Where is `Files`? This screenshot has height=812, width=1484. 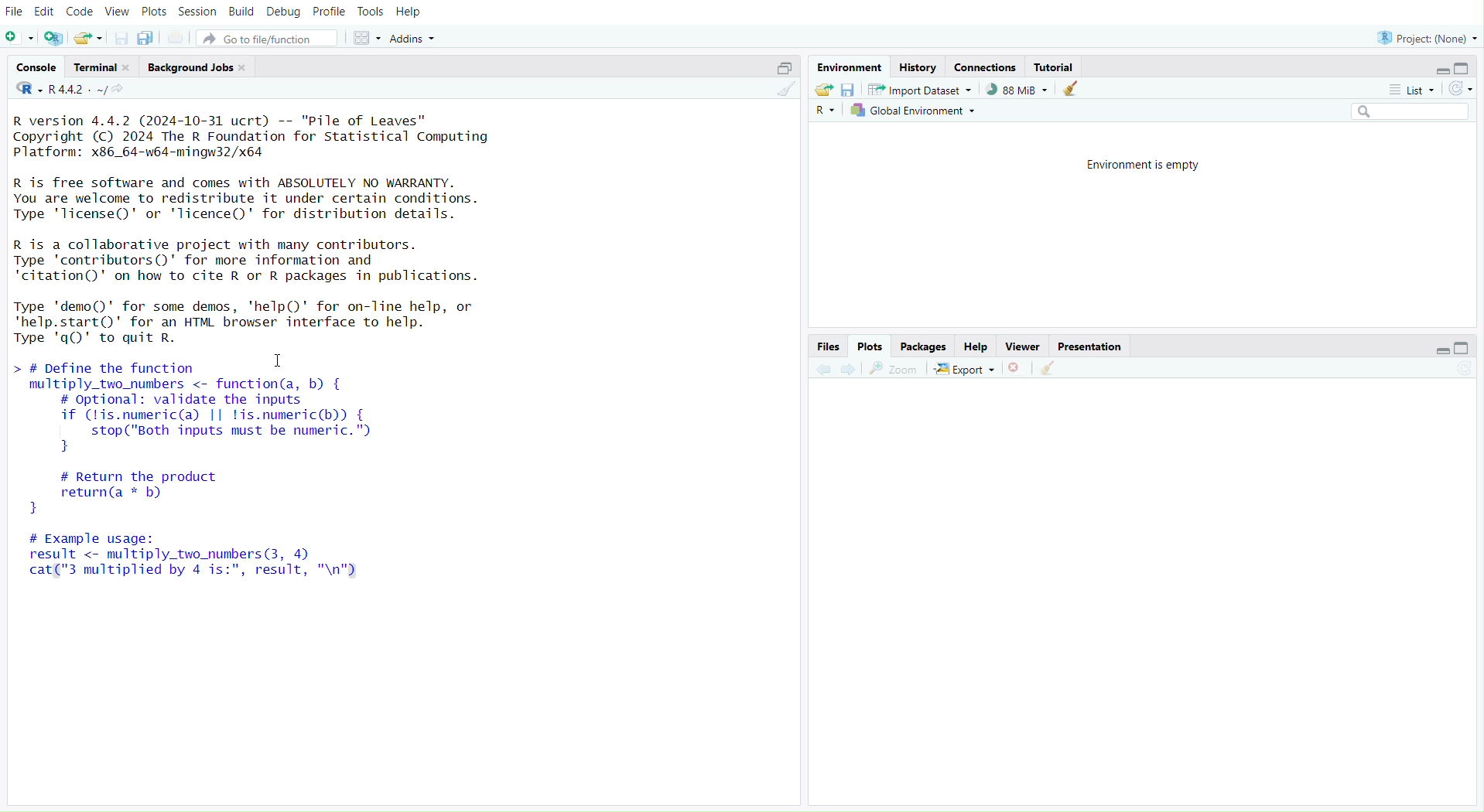
Files is located at coordinates (829, 346).